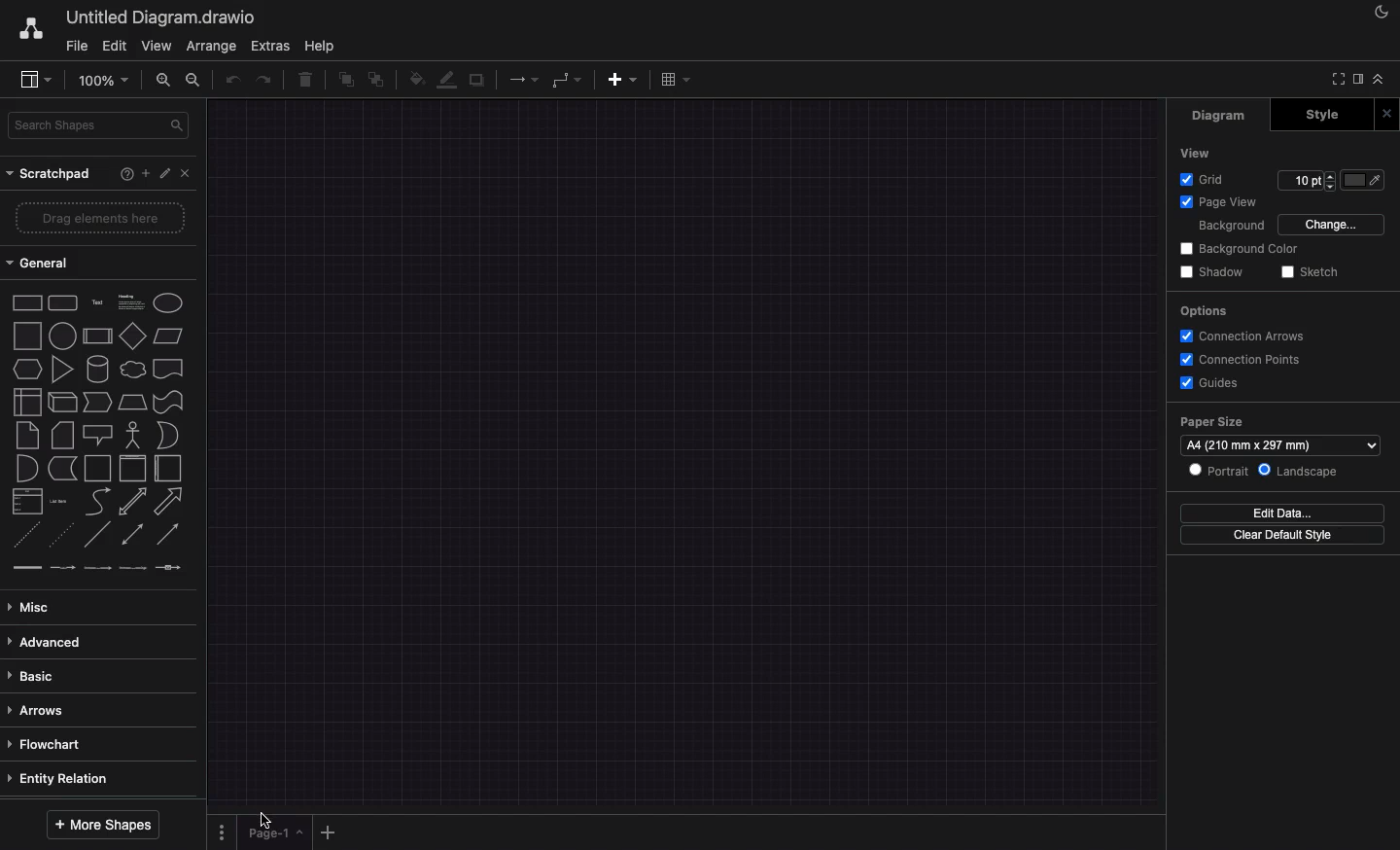 This screenshot has width=1400, height=850. I want to click on text, so click(100, 301).